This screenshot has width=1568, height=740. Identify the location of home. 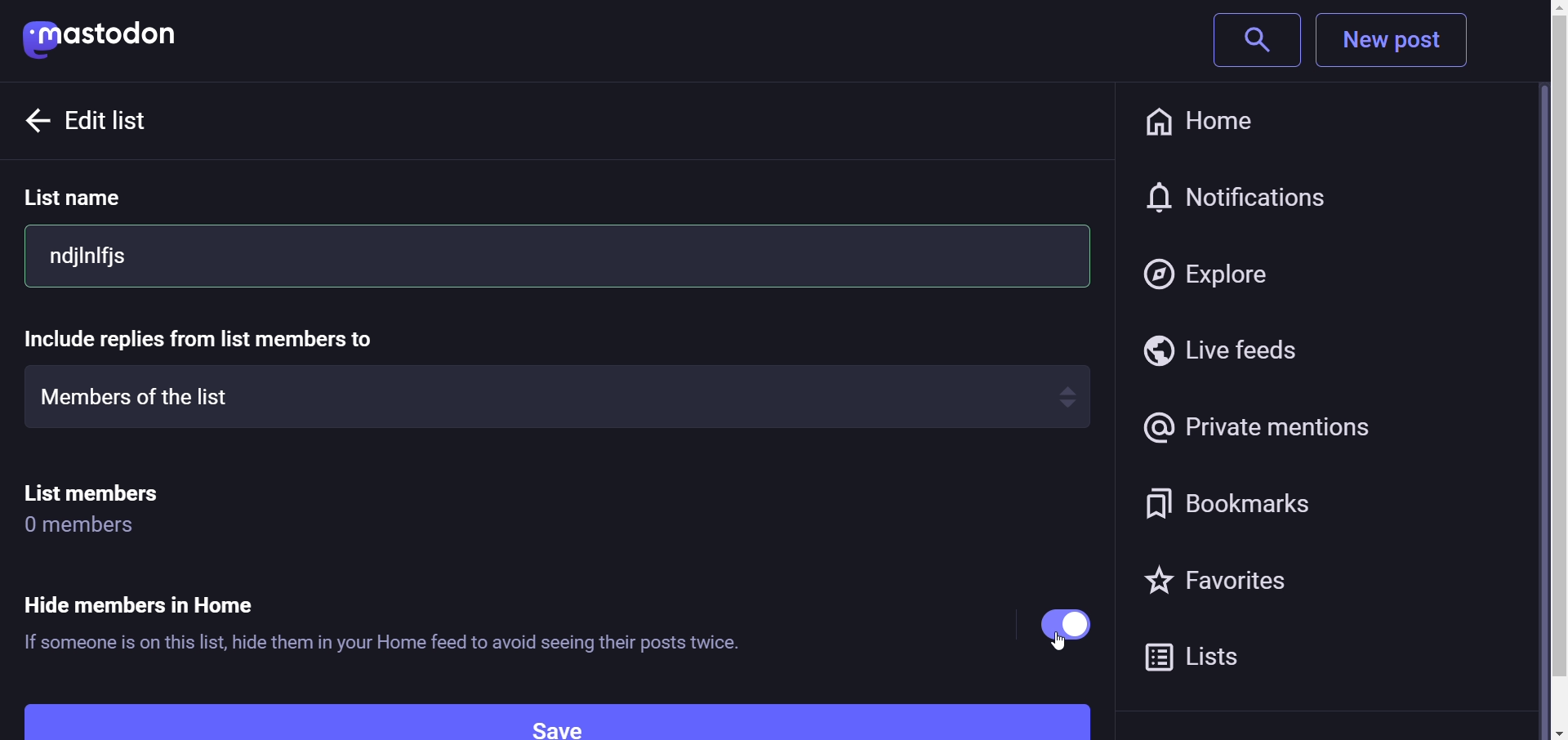
(1211, 121).